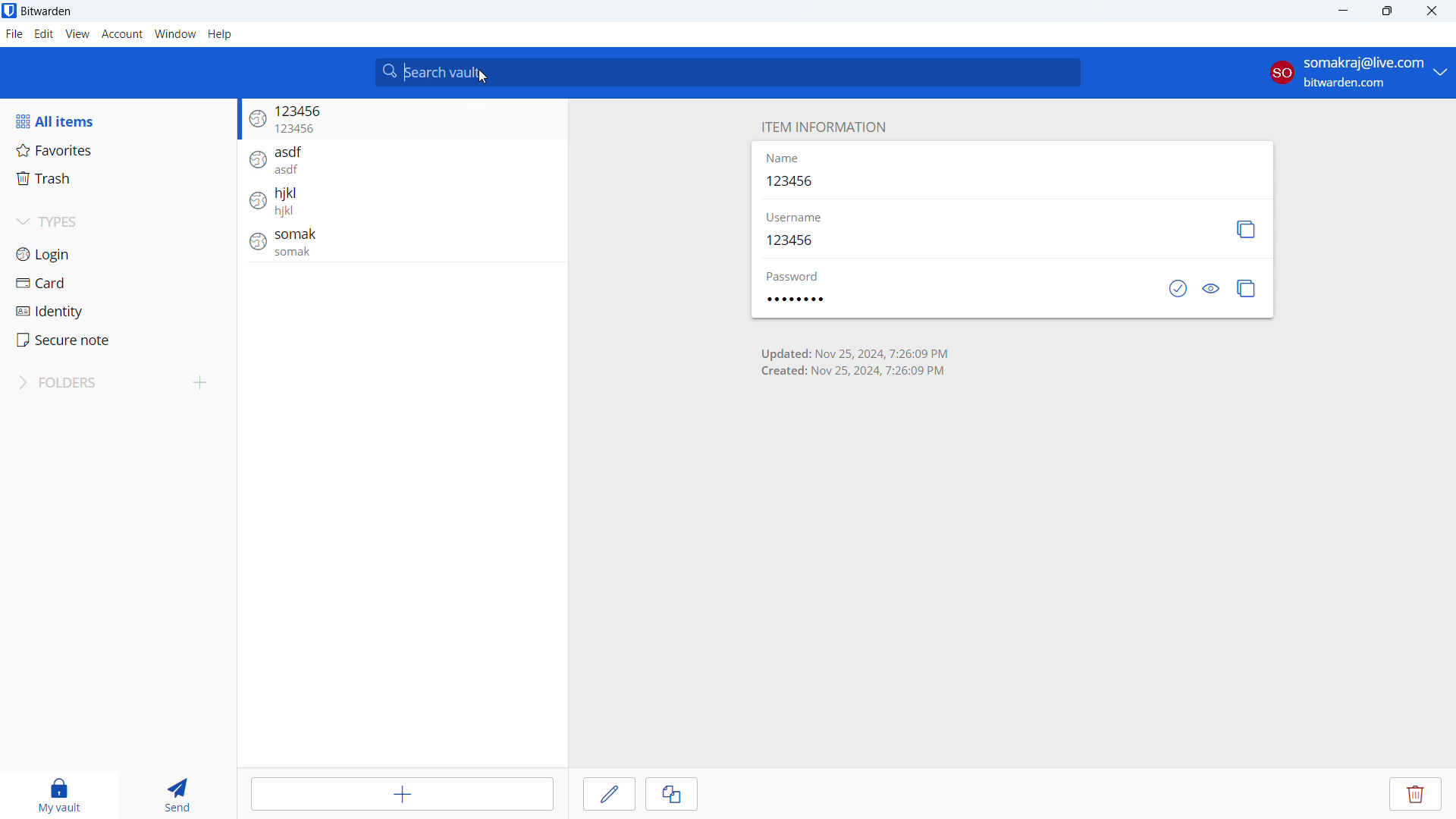 The height and width of the screenshot is (819, 1456). What do you see at coordinates (822, 127) in the screenshot?
I see `item information` at bounding box center [822, 127].